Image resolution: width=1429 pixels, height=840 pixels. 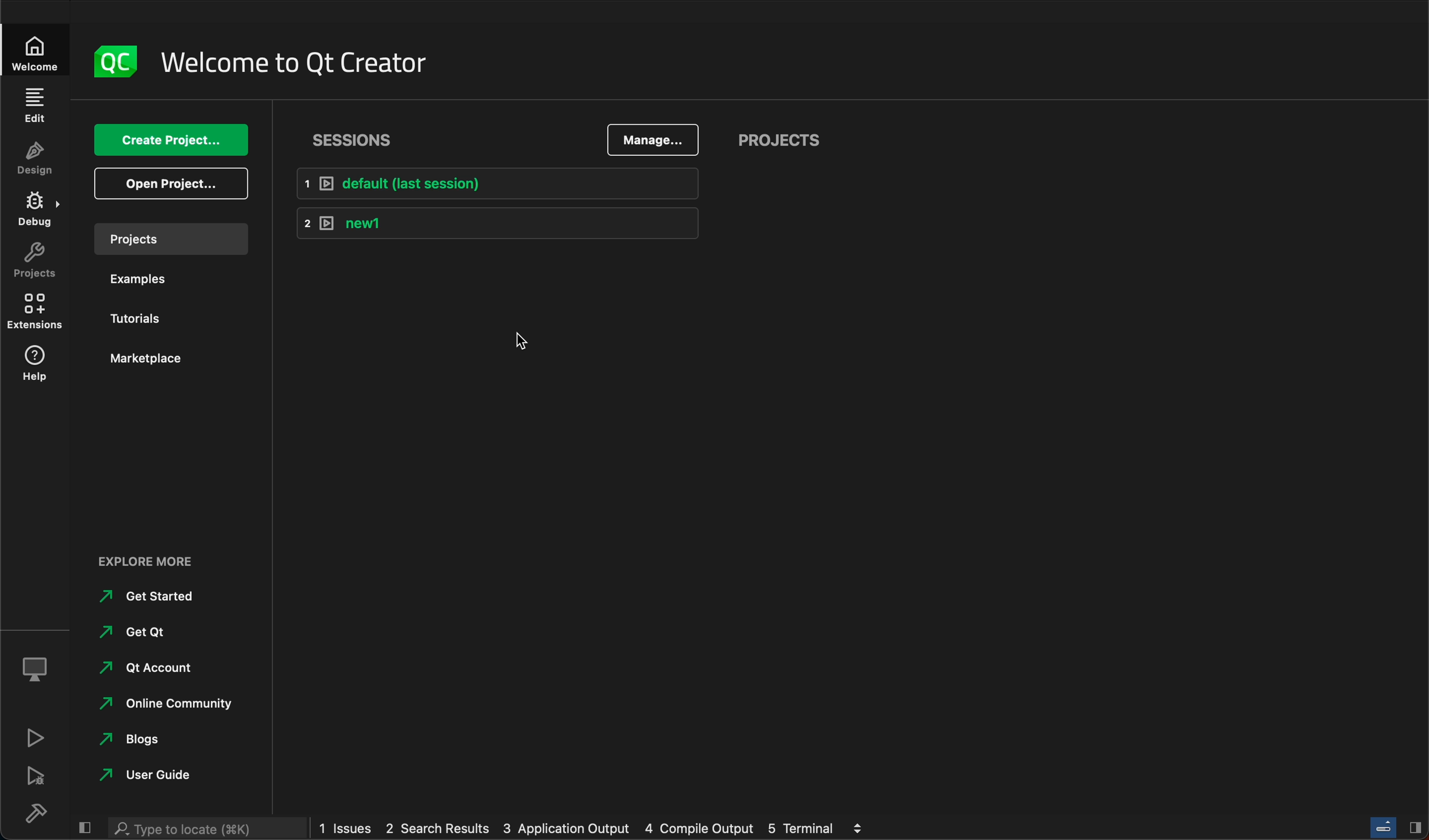 What do you see at coordinates (155, 596) in the screenshot?
I see `started` at bounding box center [155, 596].